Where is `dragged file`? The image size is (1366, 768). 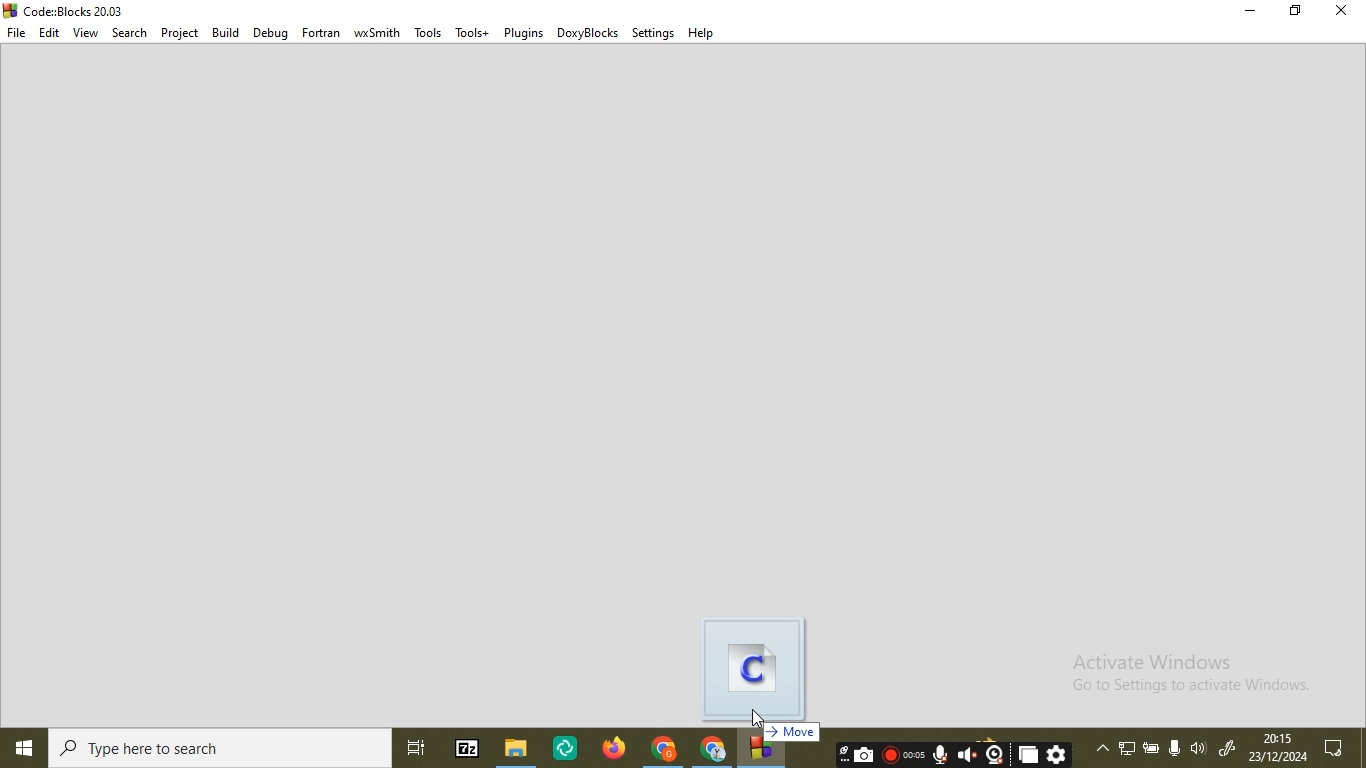
dragged file is located at coordinates (760, 666).